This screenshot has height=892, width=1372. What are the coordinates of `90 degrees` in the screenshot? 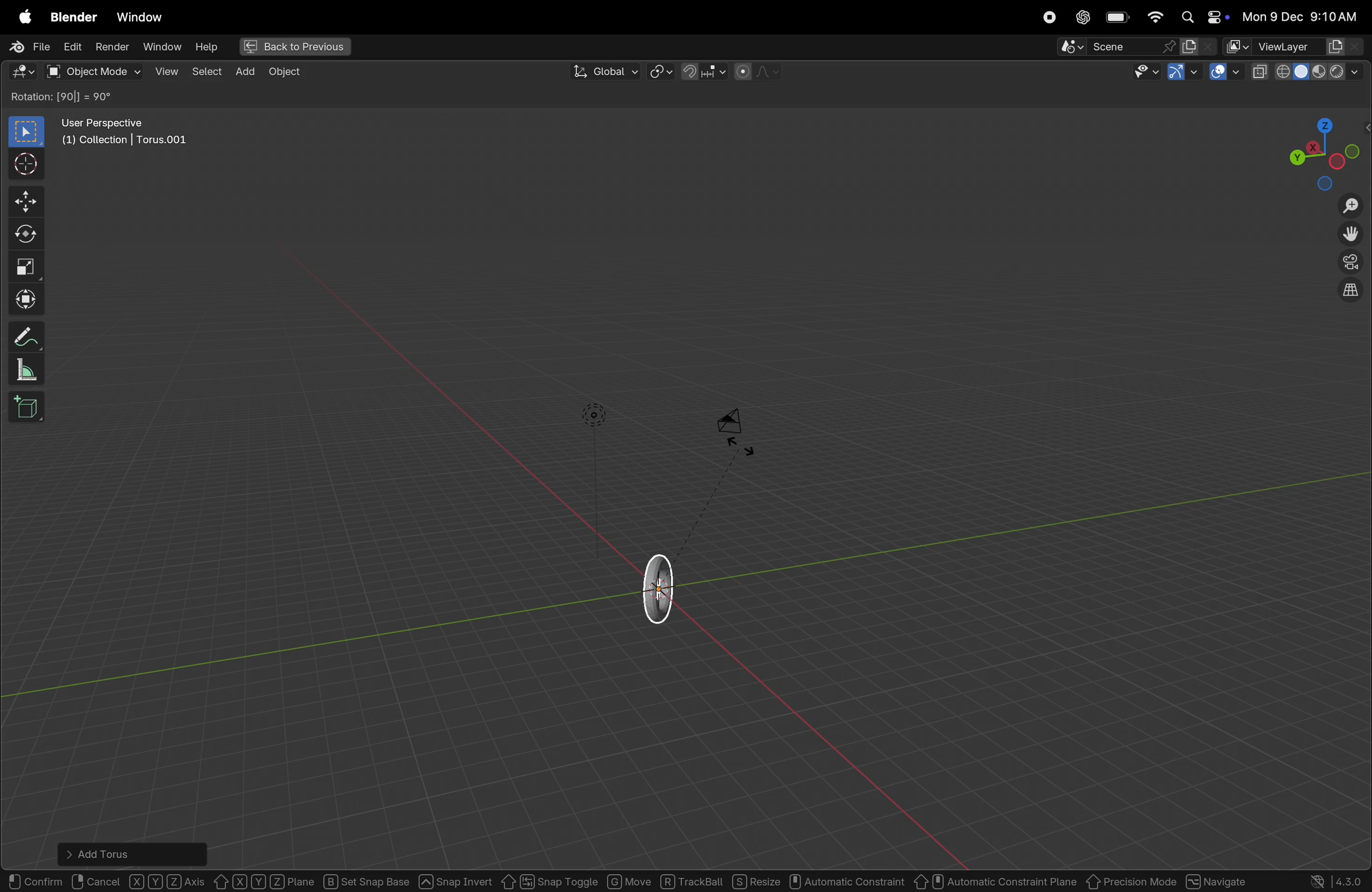 It's located at (86, 97).